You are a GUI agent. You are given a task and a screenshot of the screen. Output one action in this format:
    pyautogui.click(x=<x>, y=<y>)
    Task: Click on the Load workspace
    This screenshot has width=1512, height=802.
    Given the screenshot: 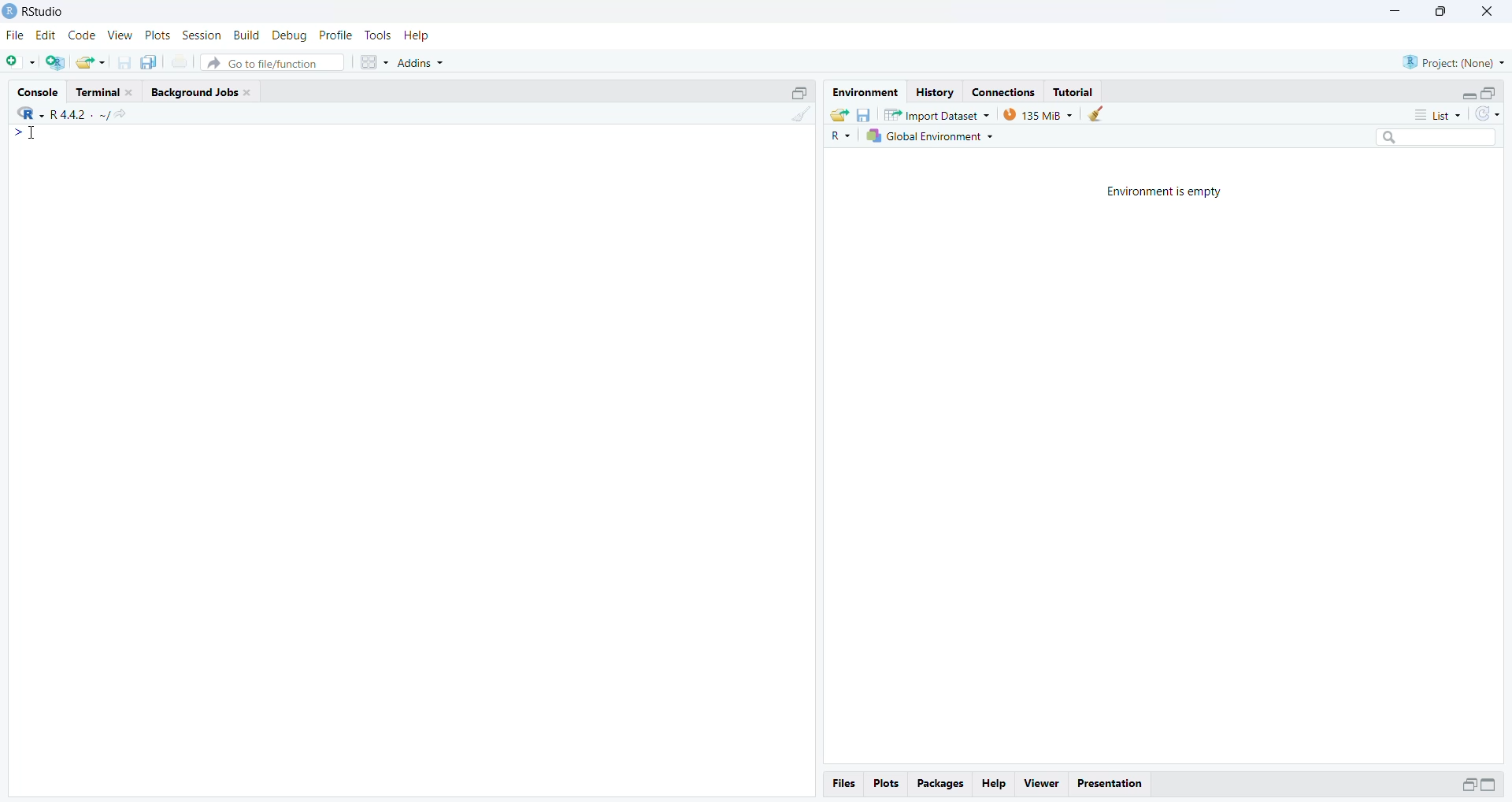 What is the action you would take?
    pyautogui.click(x=837, y=114)
    